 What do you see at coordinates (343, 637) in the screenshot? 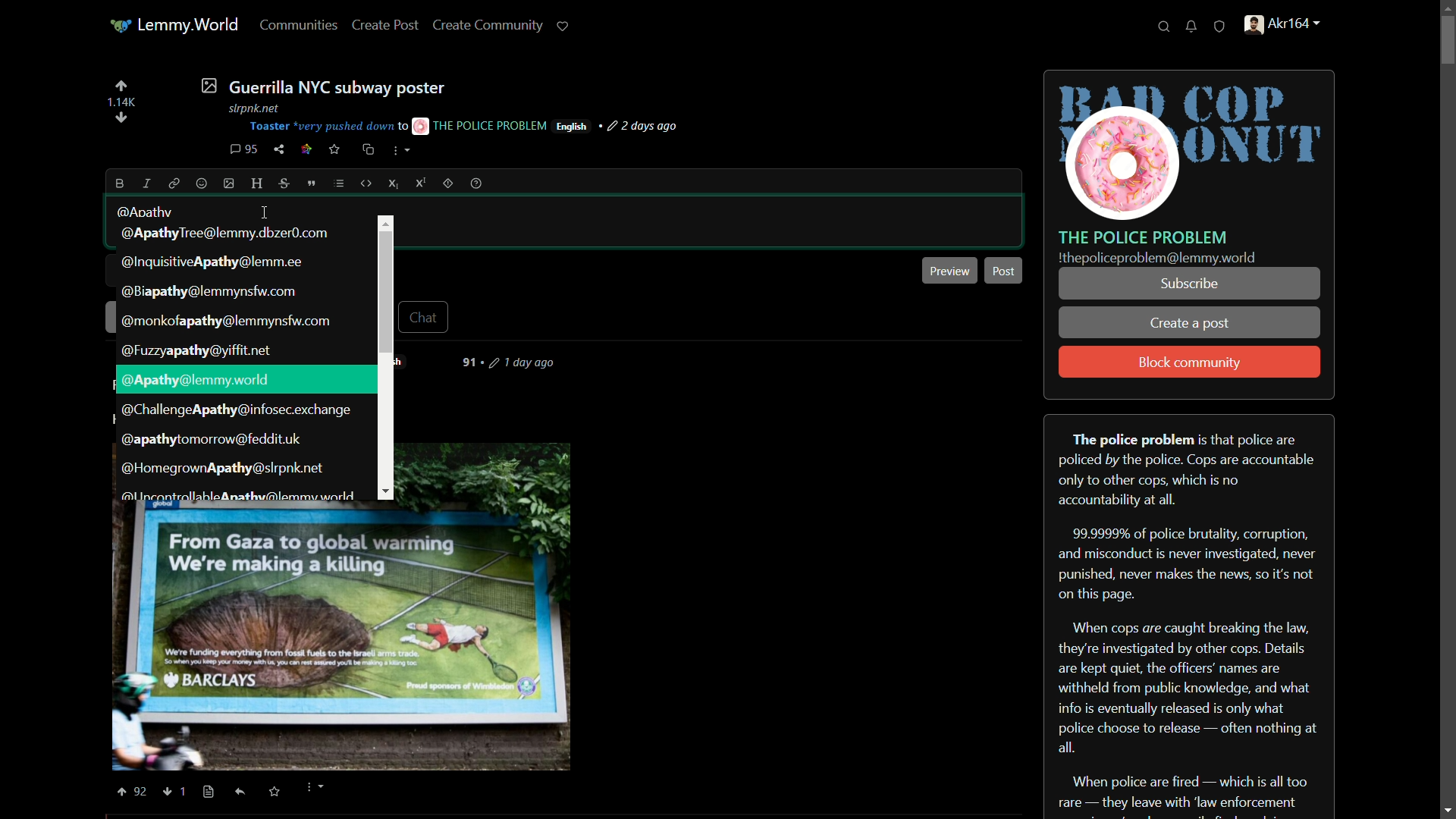
I see `POST IMAGE` at bounding box center [343, 637].